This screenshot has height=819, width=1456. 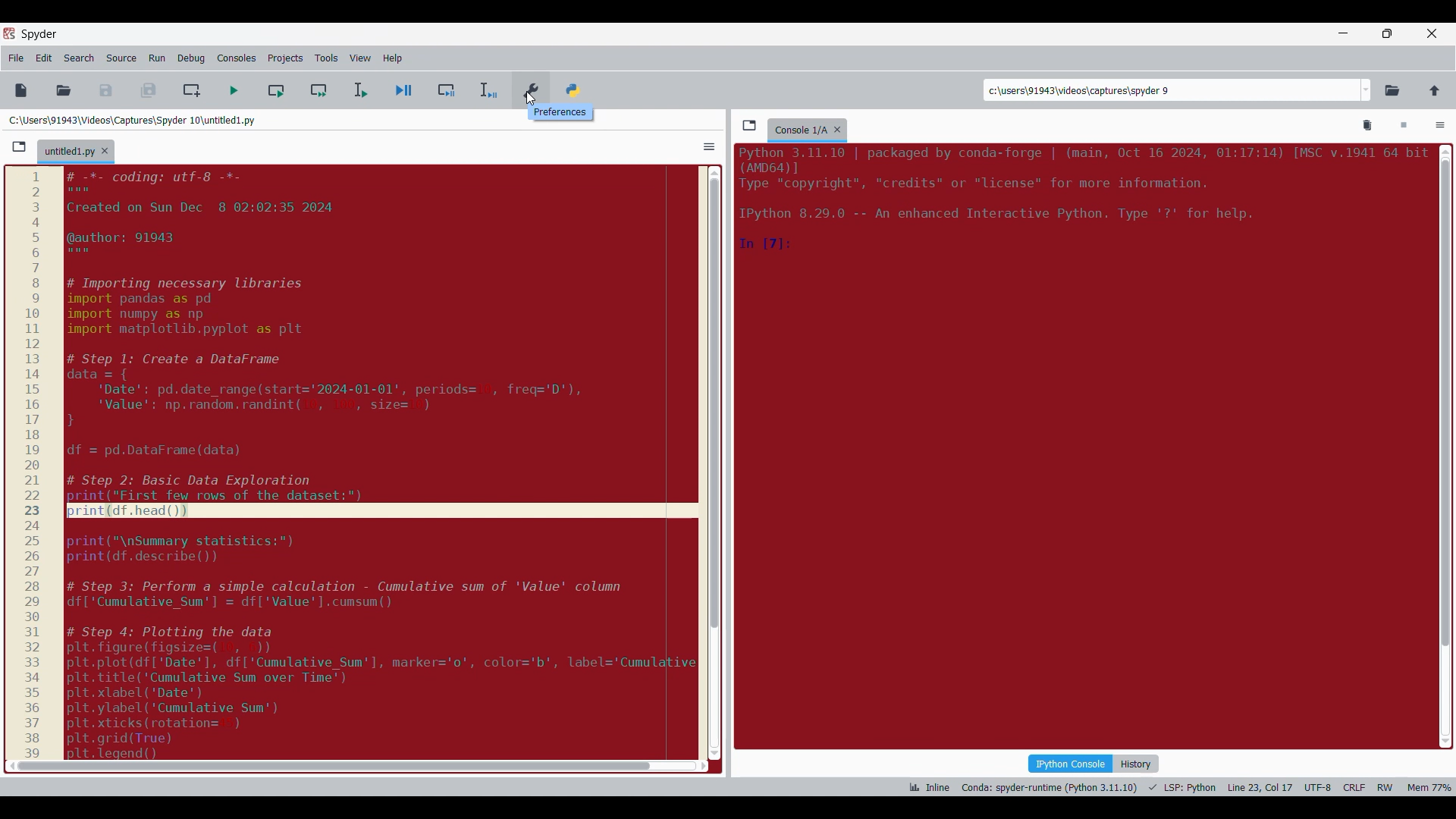 What do you see at coordinates (1446, 447) in the screenshot?
I see `Vertical slide bar` at bounding box center [1446, 447].